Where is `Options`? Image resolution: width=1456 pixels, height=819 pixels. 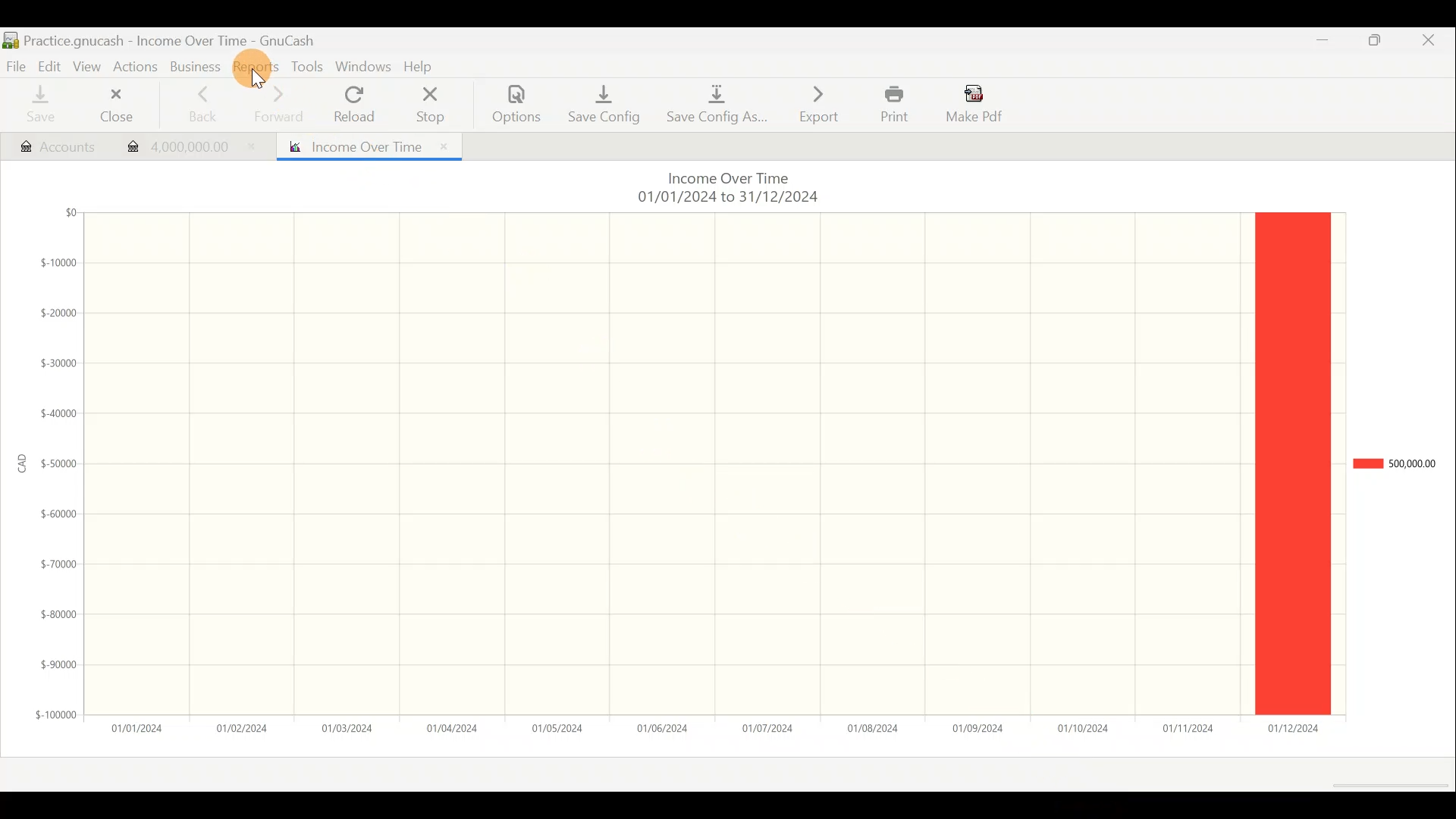
Options is located at coordinates (509, 104).